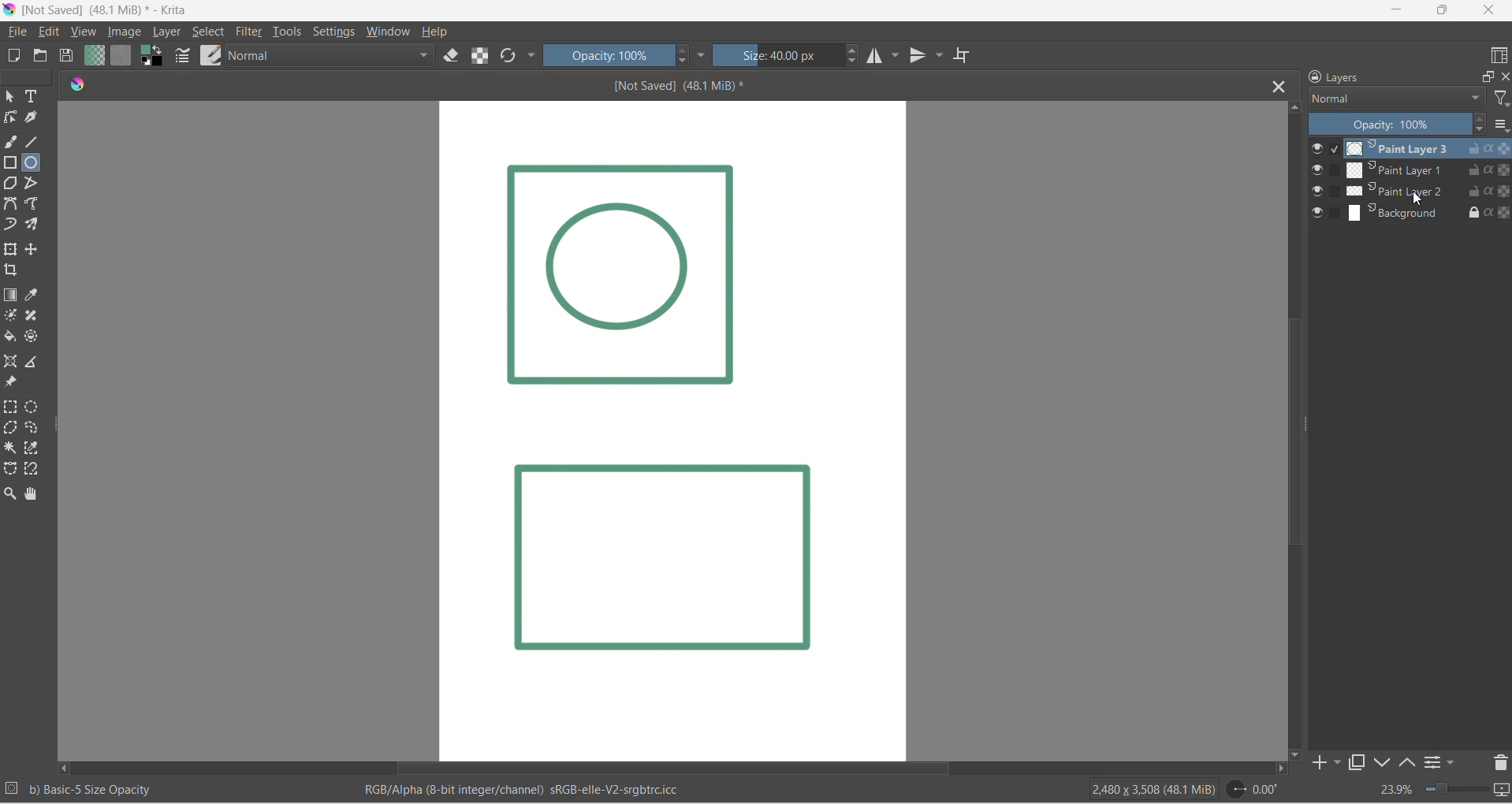 The image size is (1512, 804). Describe the element at coordinates (32, 471) in the screenshot. I see `magnetic curve selection tool` at that location.